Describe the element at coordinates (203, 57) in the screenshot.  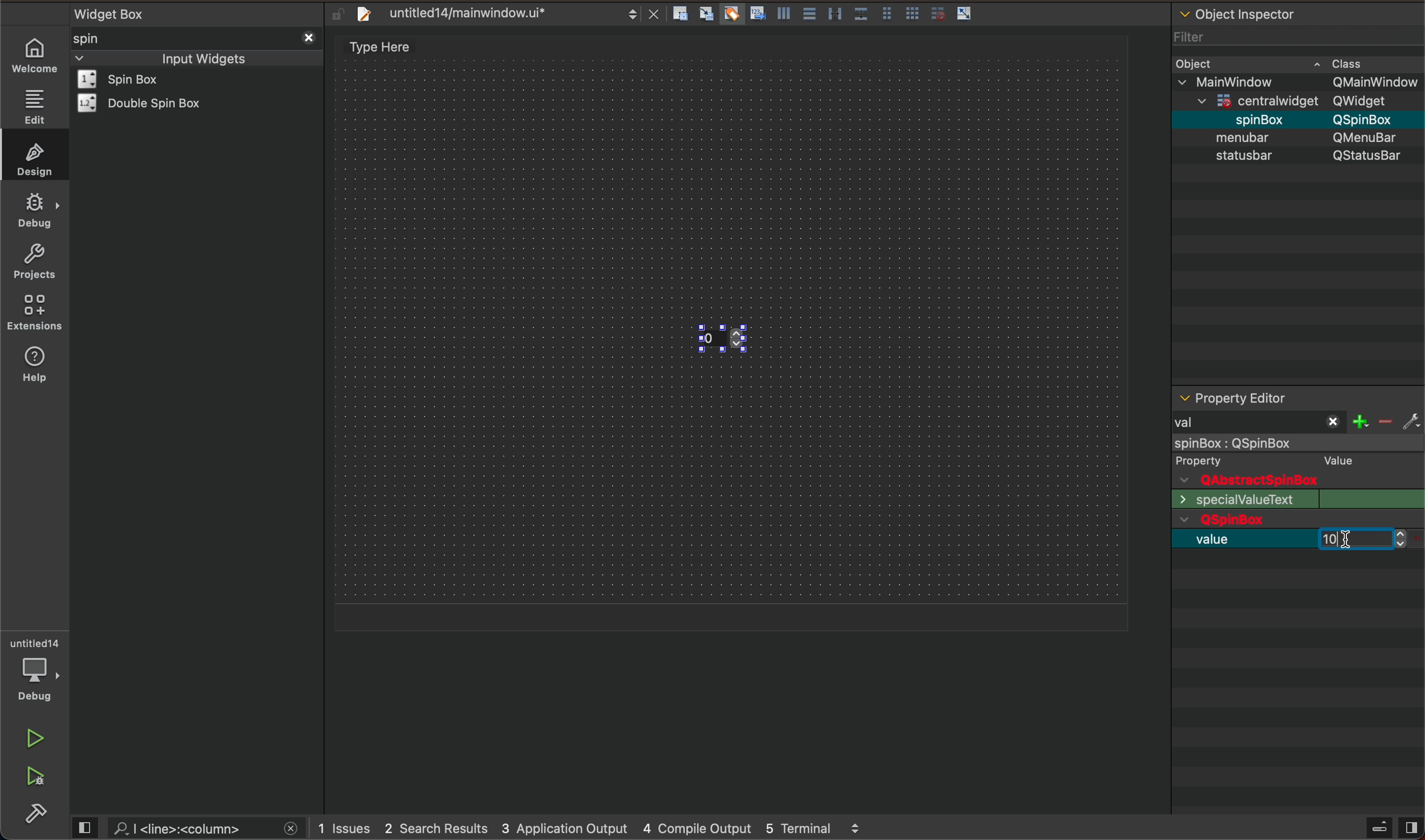
I see `inout` at that location.